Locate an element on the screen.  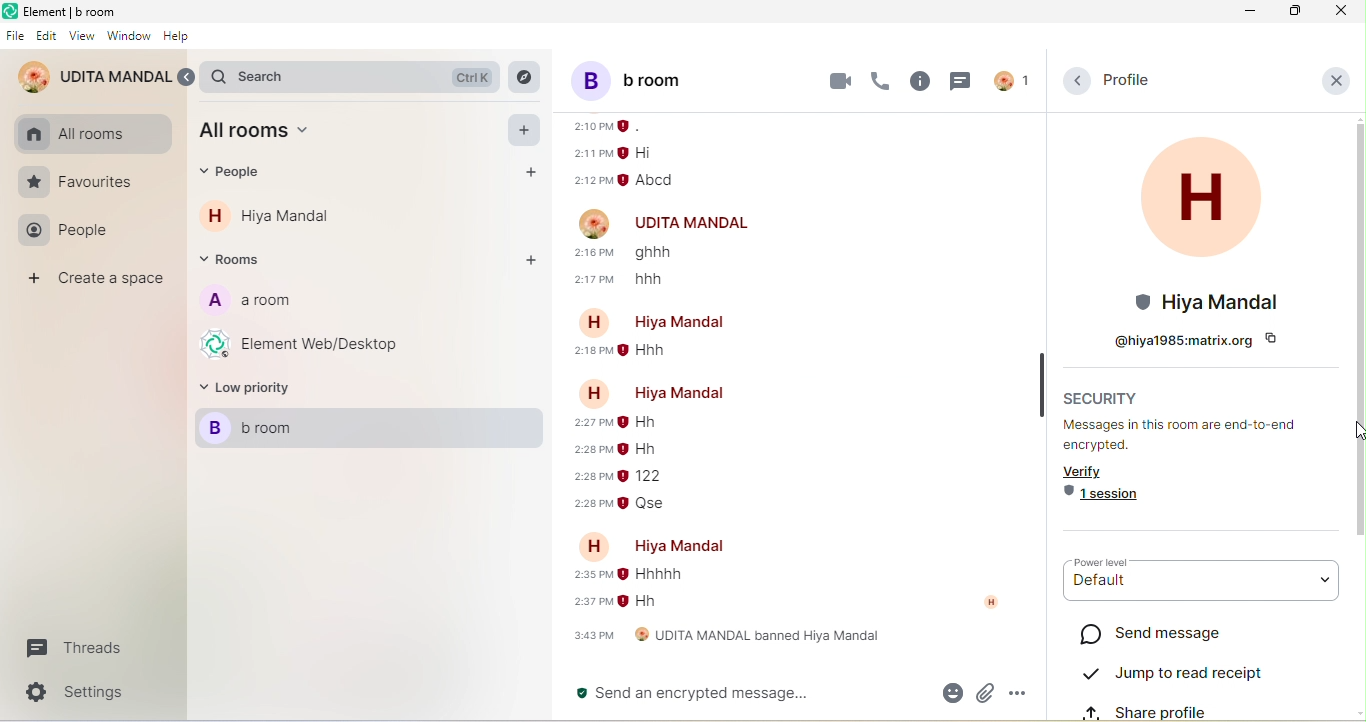
scroll up is located at coordinates (1357, 118).